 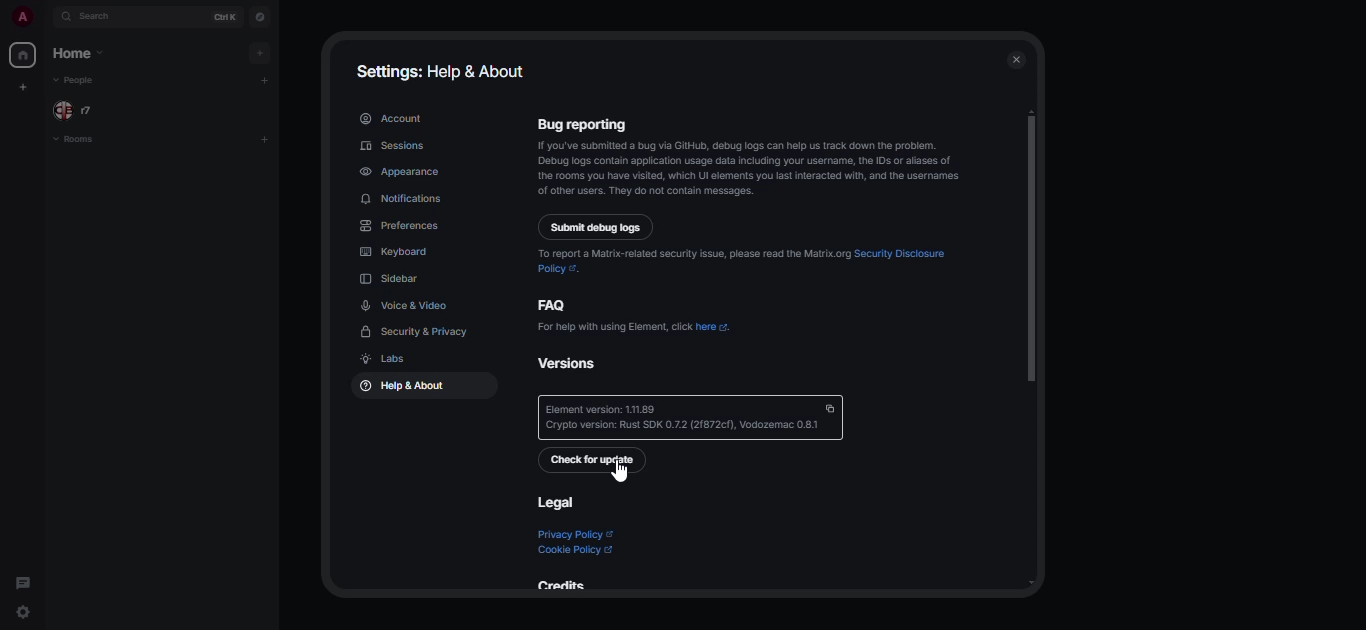 What do you see at coordinates (264, 81) in the screenshot?
I see `add` at bounding box center [264, 81].